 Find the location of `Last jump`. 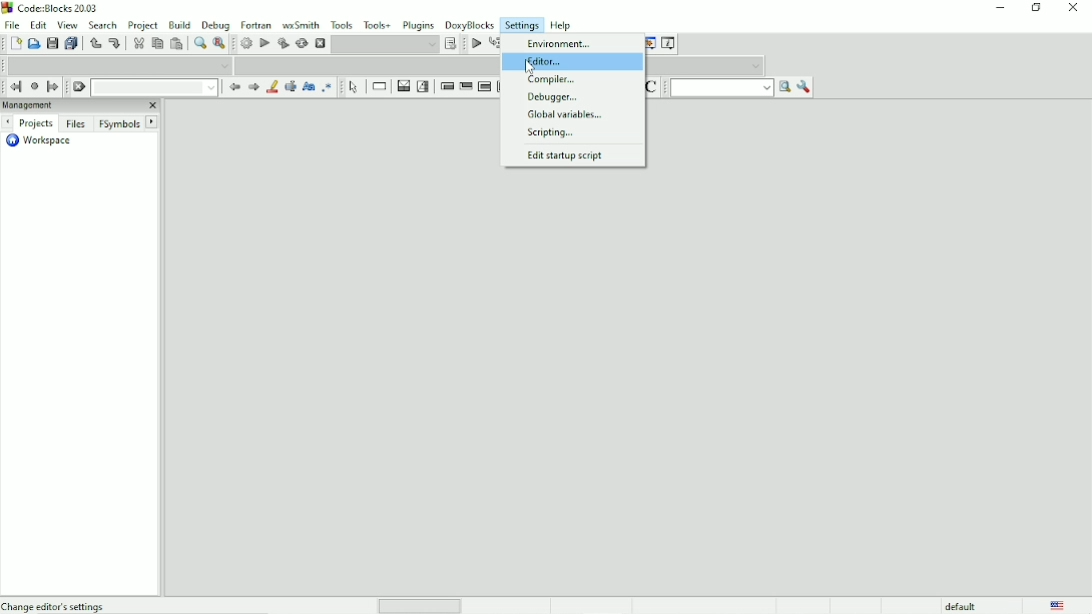

Last jump is located at coordinates (33, 86).